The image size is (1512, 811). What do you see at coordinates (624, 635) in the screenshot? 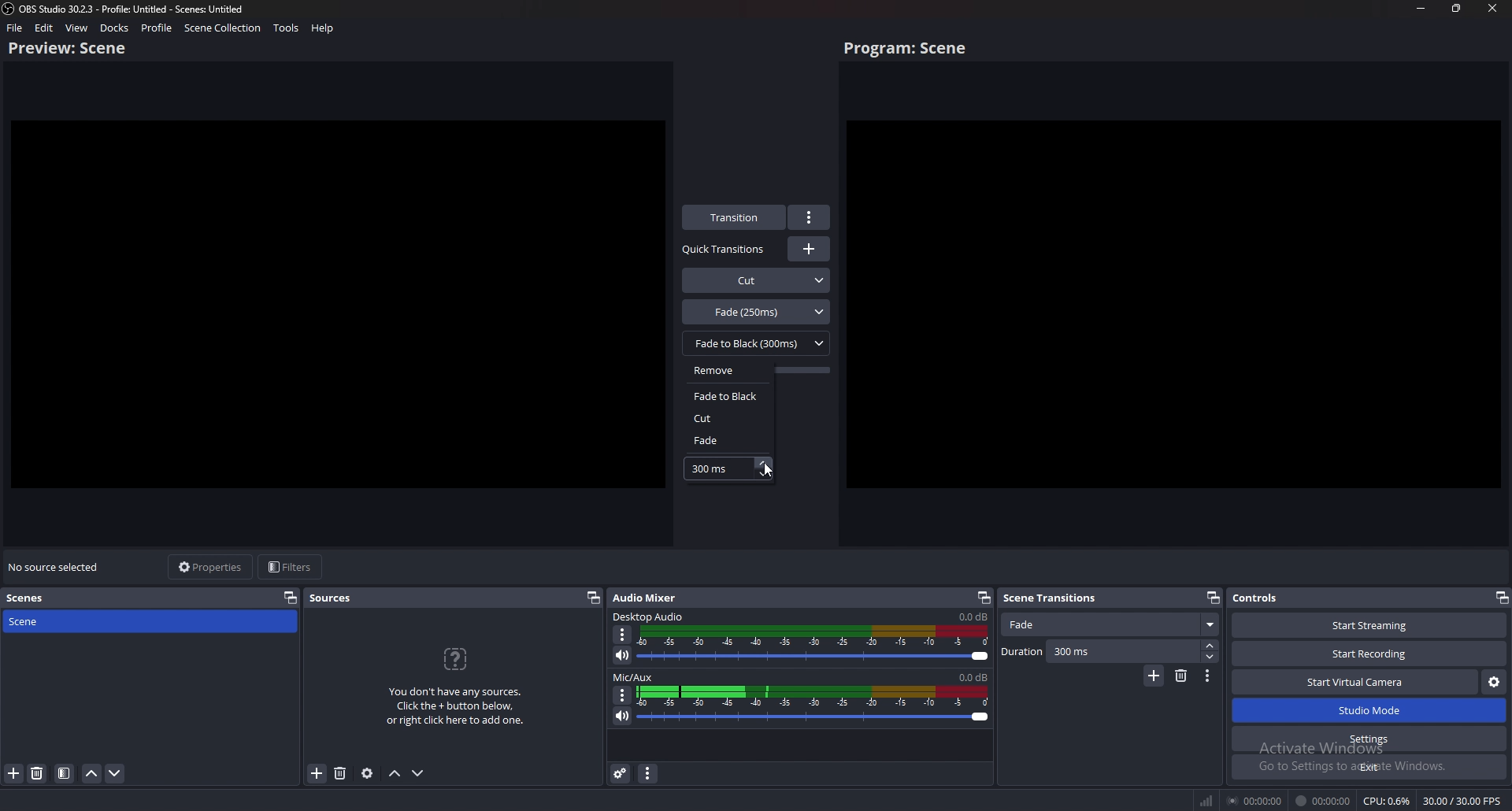
I see `Options` at bounding box center [624, 635].